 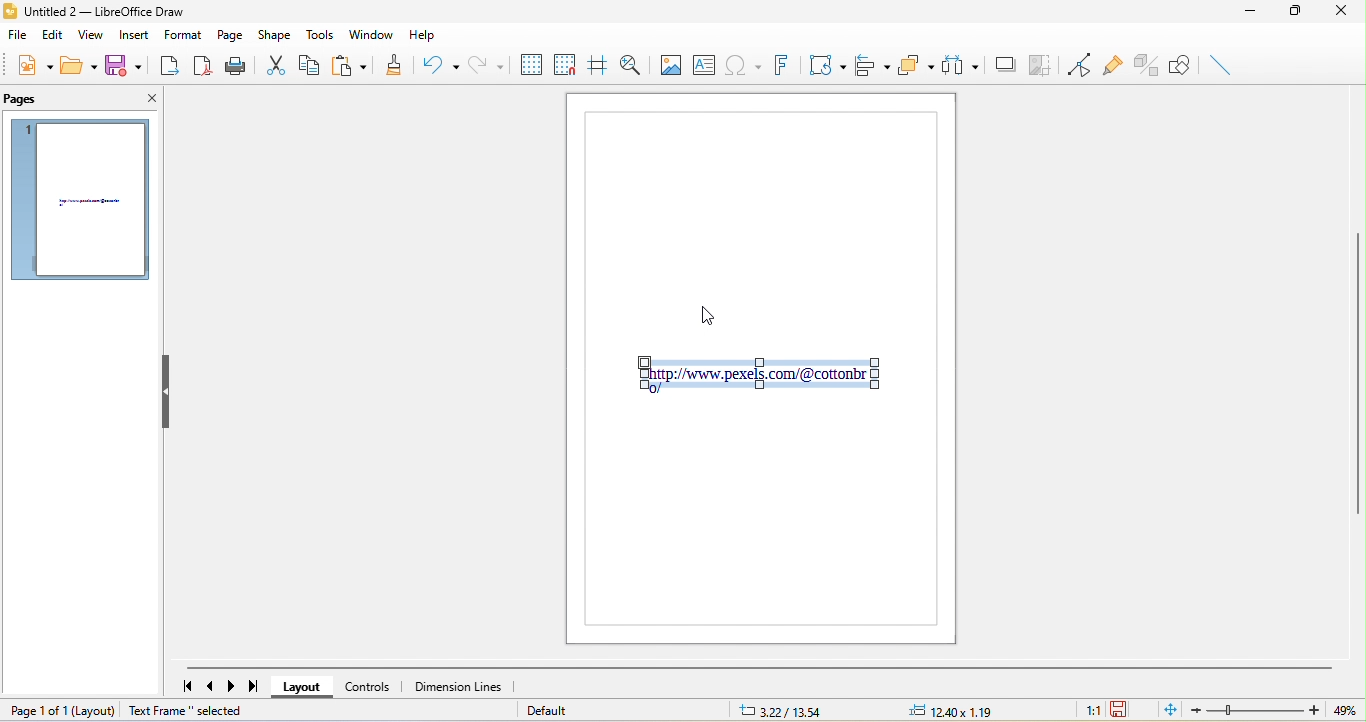 What do you see at coordinates (1220, 64) in the screenshot?
I see `insert line` at bounding box center [1220, 64].